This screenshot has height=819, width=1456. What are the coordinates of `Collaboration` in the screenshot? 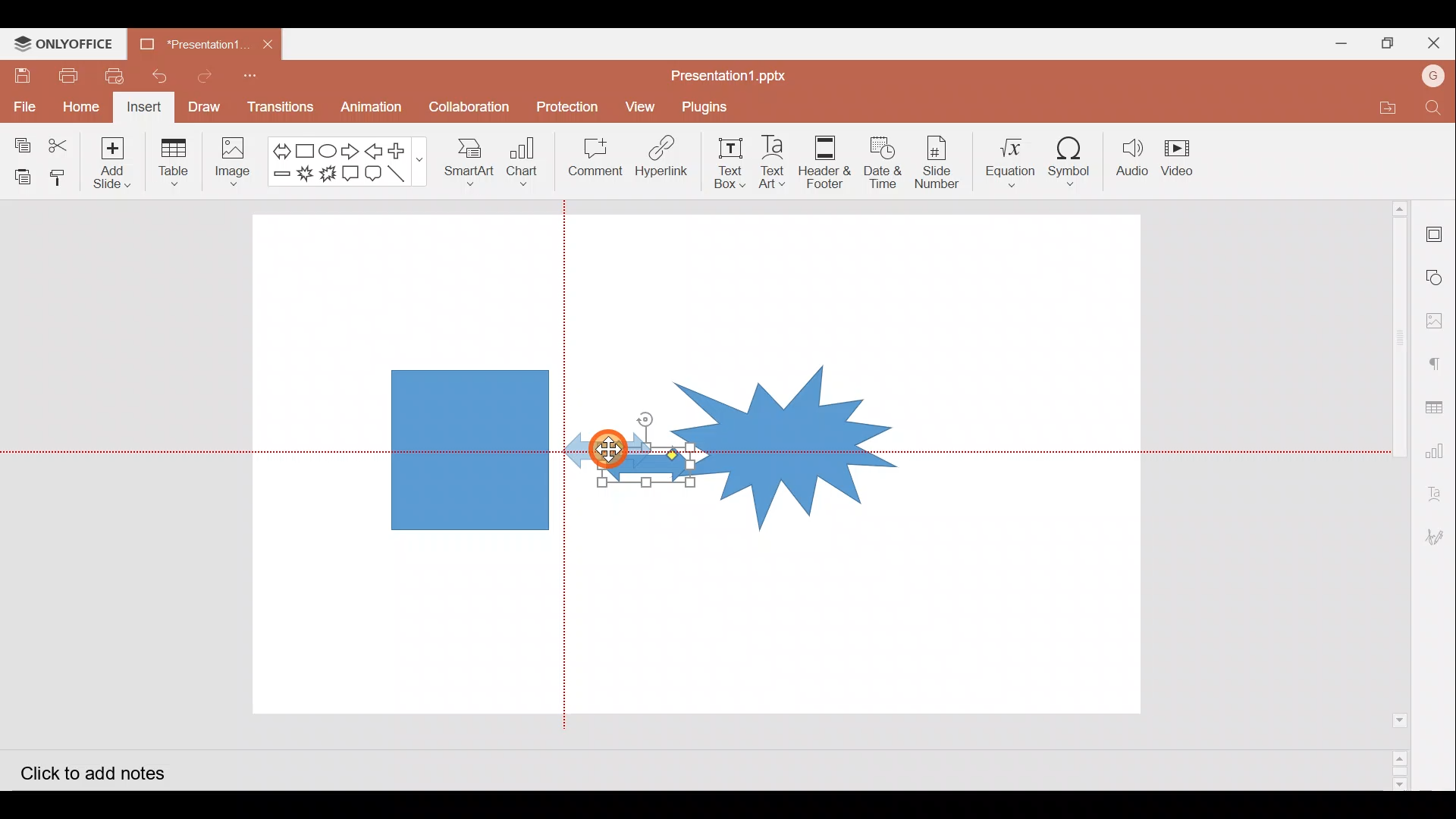 It's located at (469, 102).